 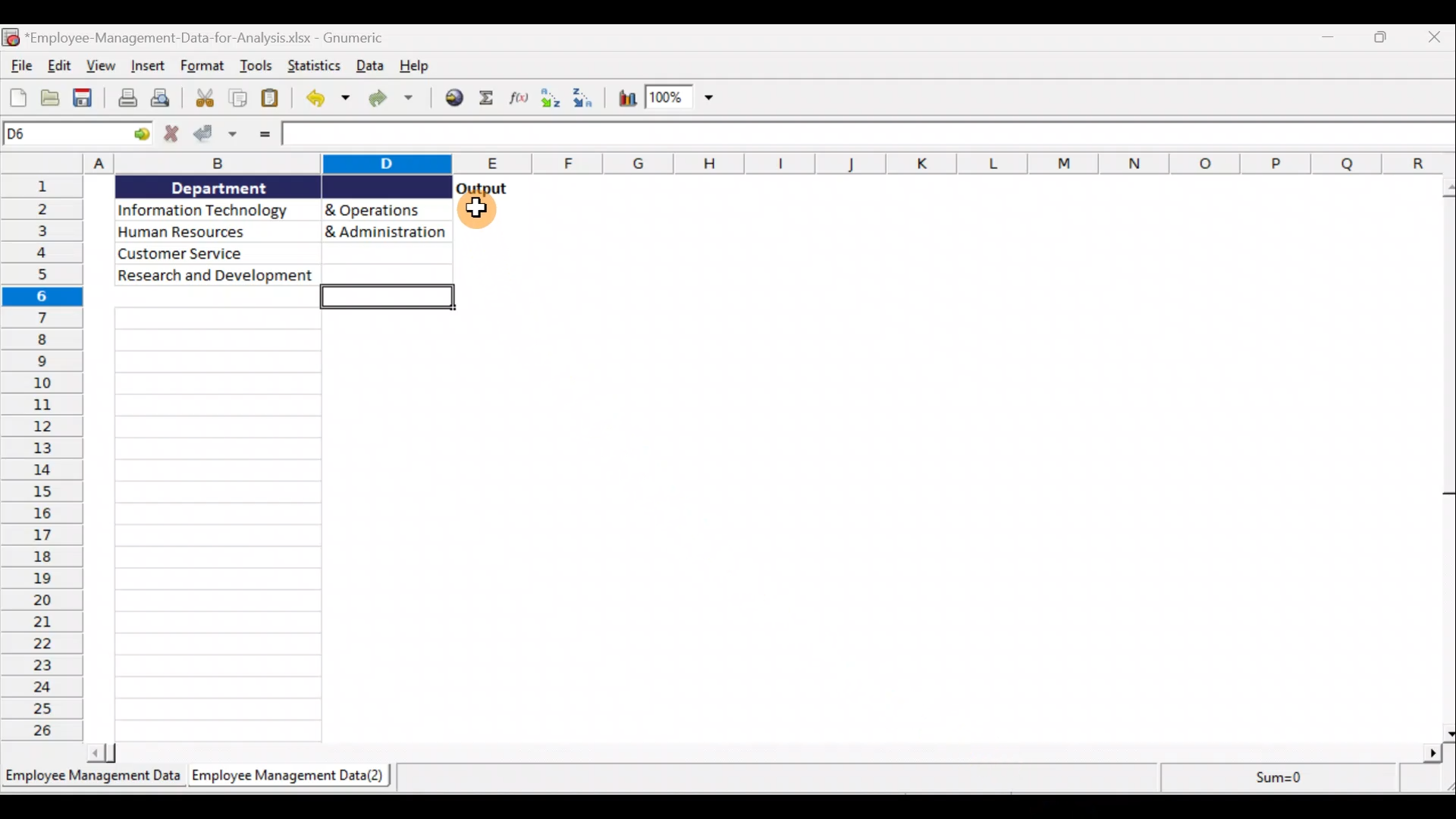 I want to click on Undo last action, so click(x=327, y=101).